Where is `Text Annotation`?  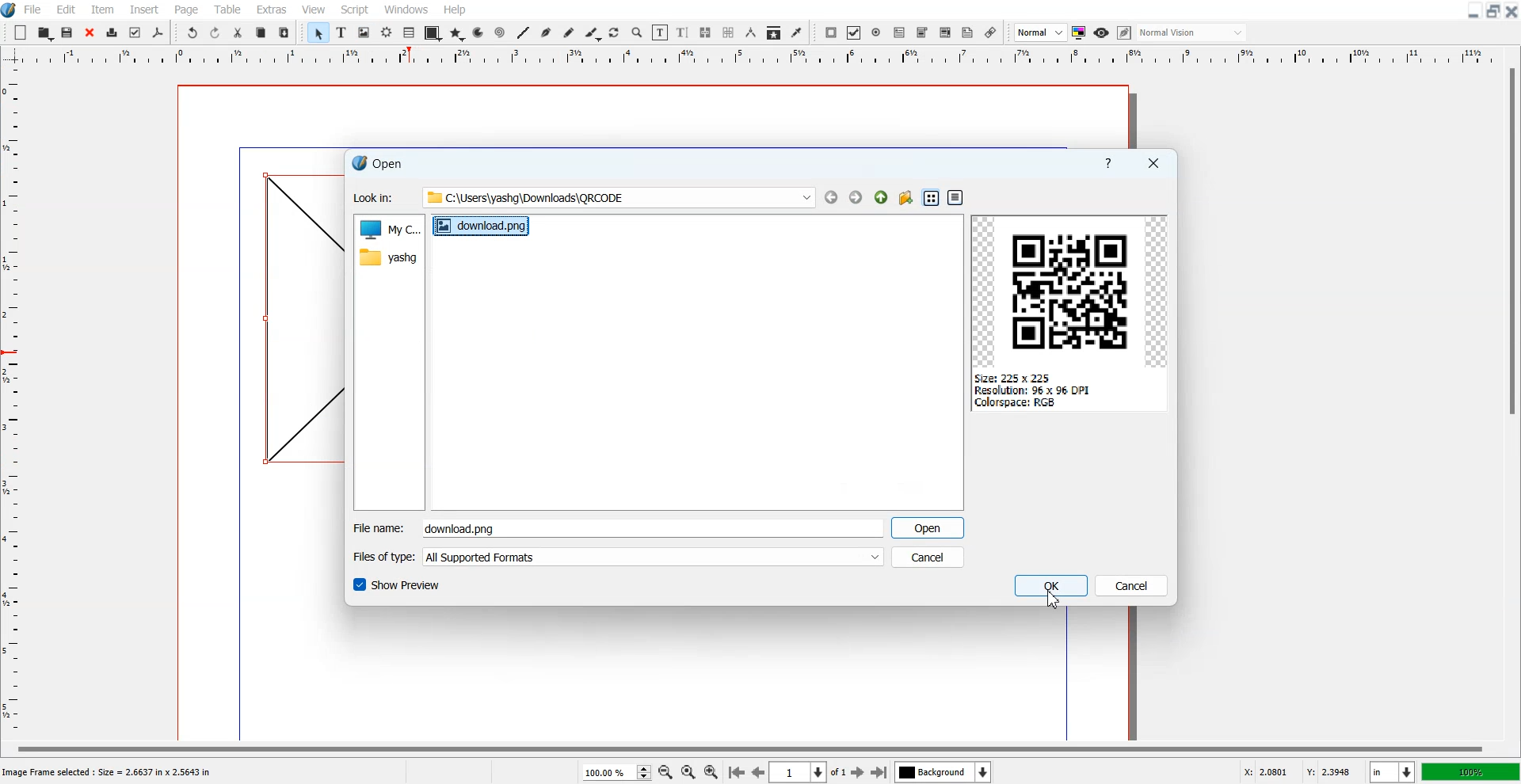
Text Annotation is located at coordinates (968, 33).